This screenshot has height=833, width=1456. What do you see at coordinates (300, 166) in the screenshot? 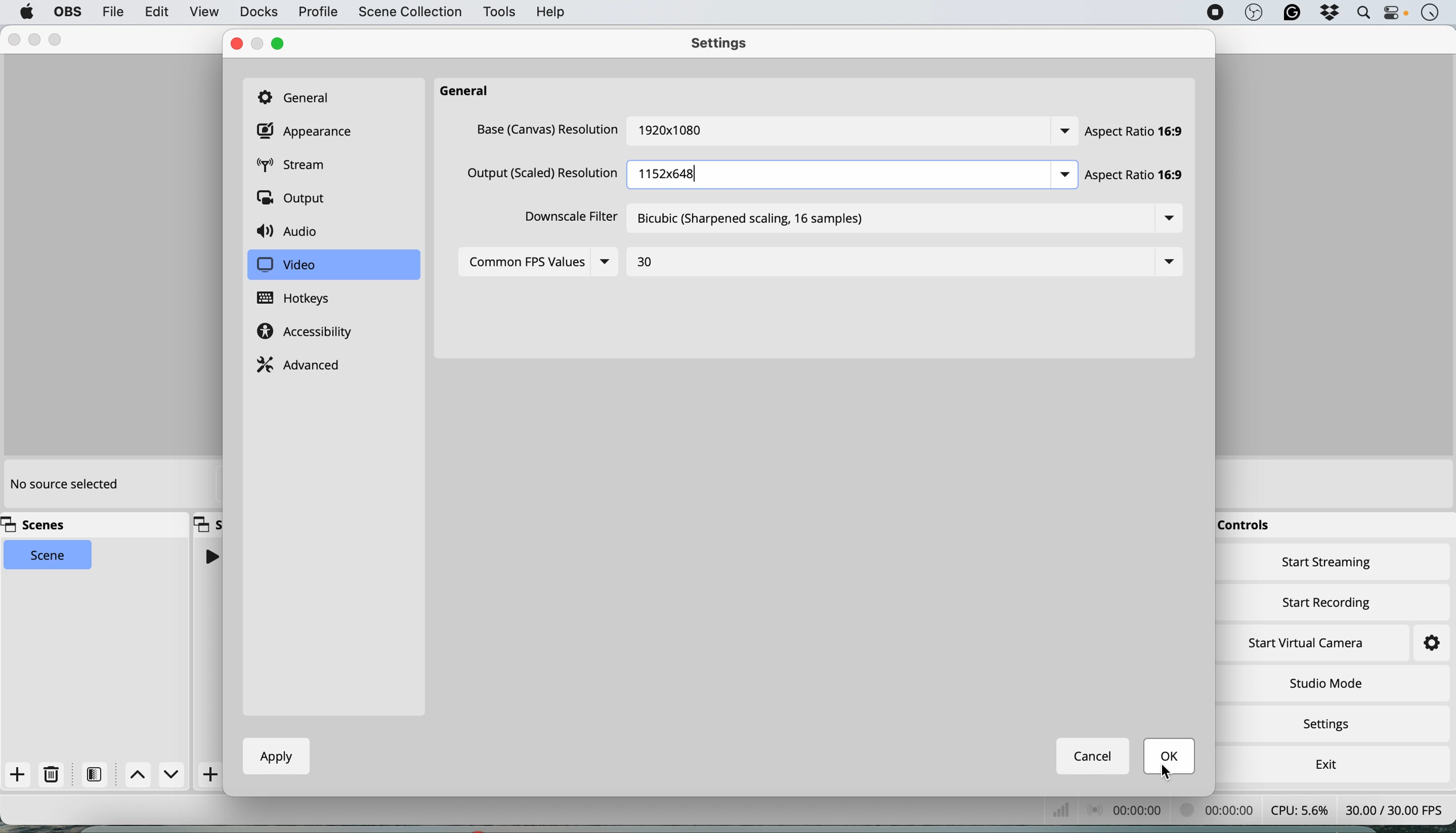
I see `stream` at bounding box center [300, 166].